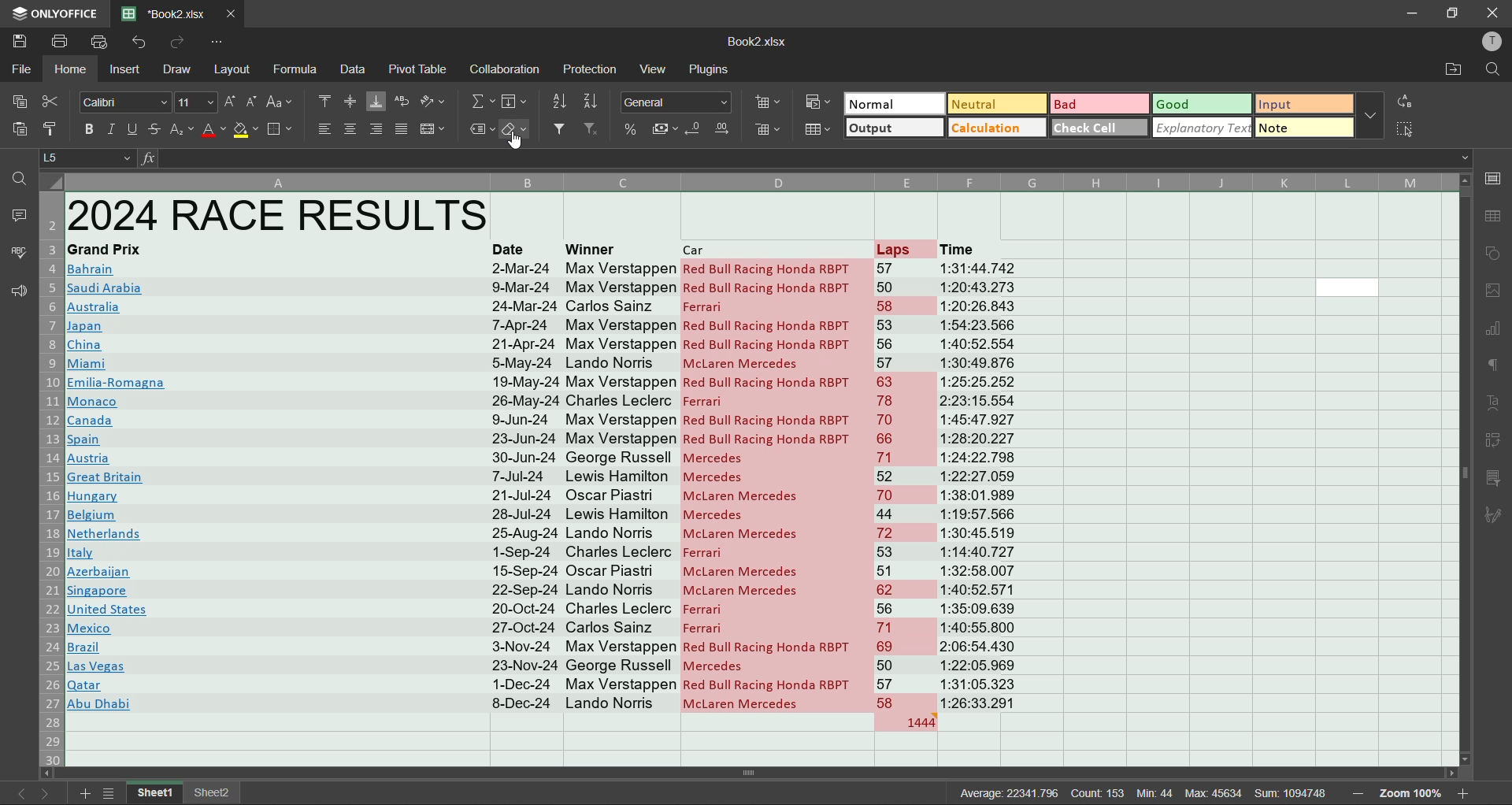 This screenshot has width=1512, height=805. I want to click on file, so click(23, 70).